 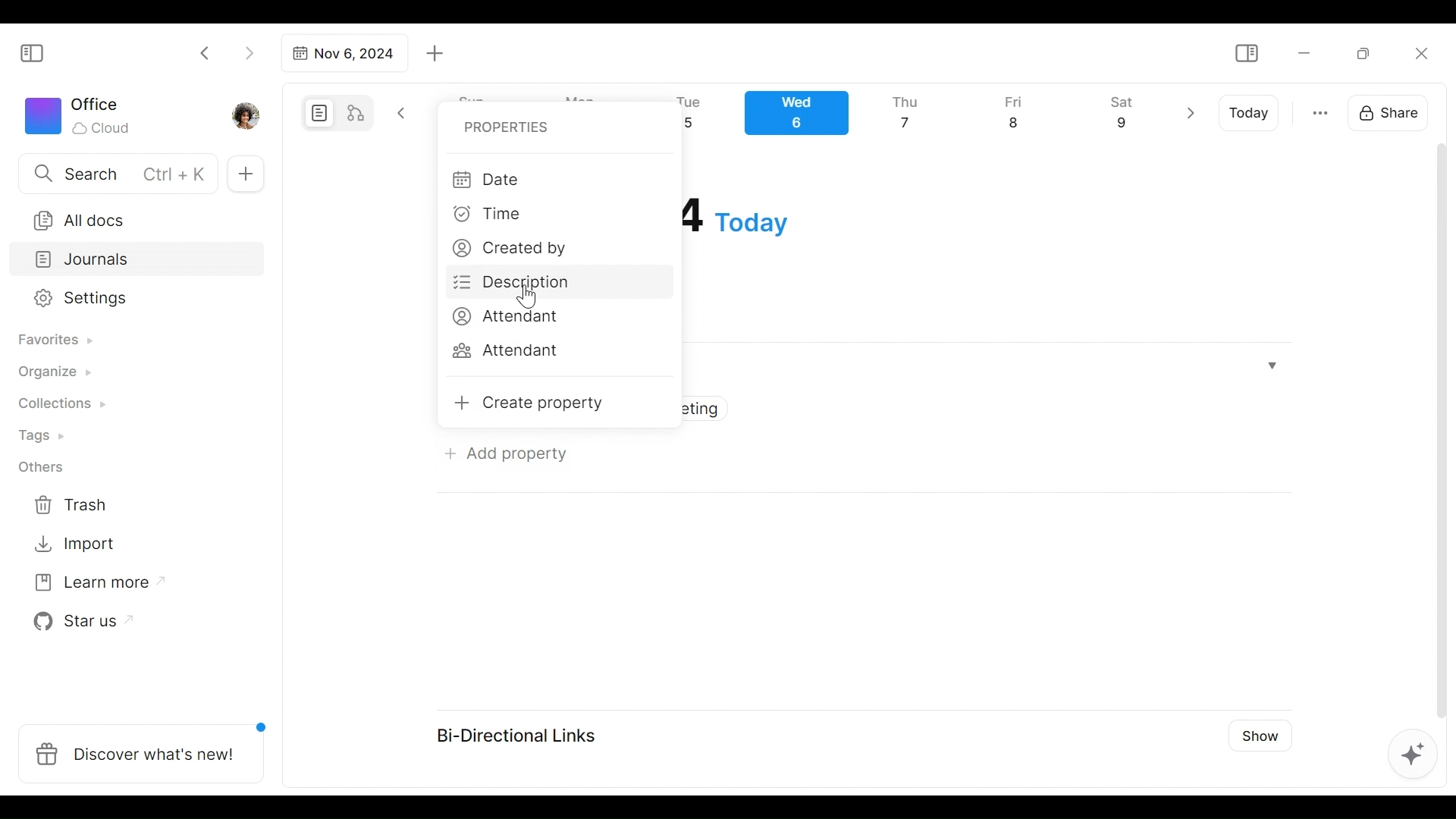 I want to click on Trash, so click(x=72, y=505).